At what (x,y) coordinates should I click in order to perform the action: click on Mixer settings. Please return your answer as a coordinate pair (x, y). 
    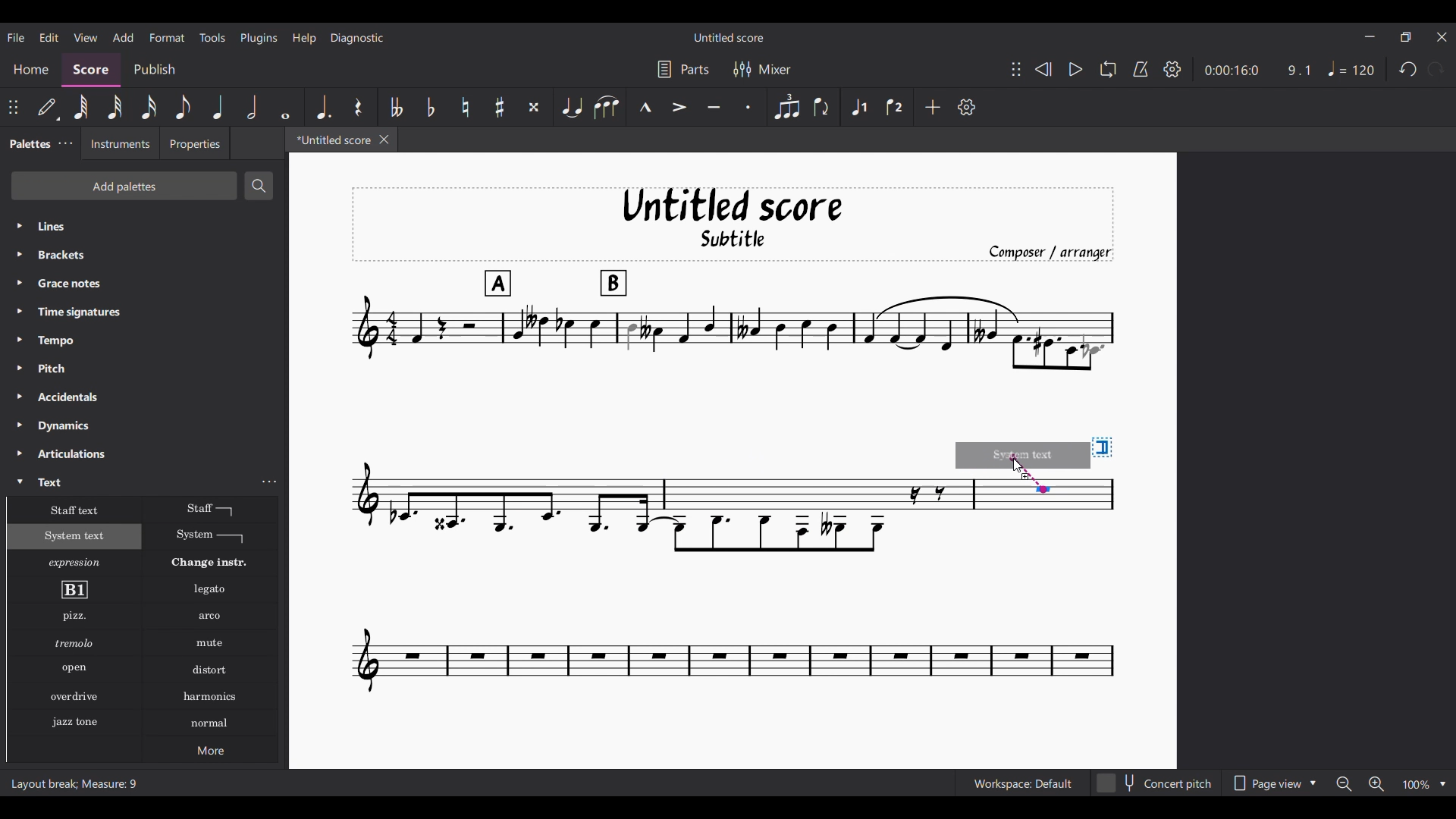
    Looking at the image, I should click on (762, 70).